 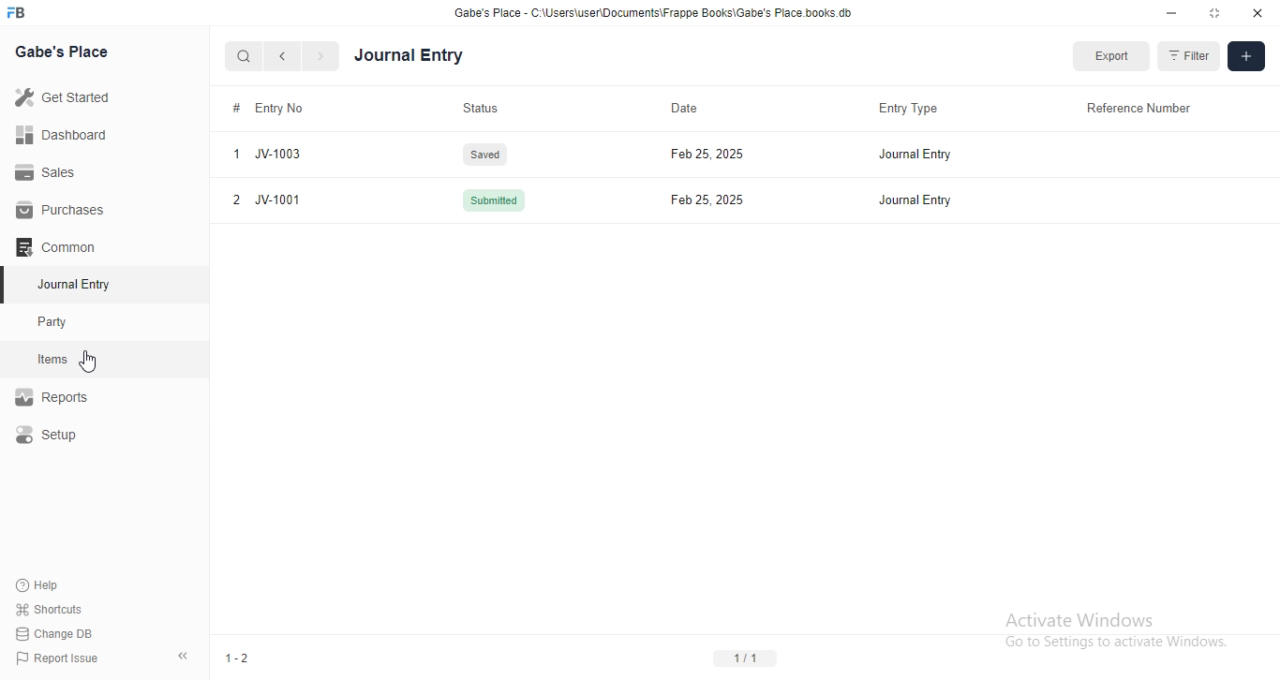 What do you see at coordinates (61, 658) in the screenshot?
I see `‘Report Issue` at bounding box center [61, 658].